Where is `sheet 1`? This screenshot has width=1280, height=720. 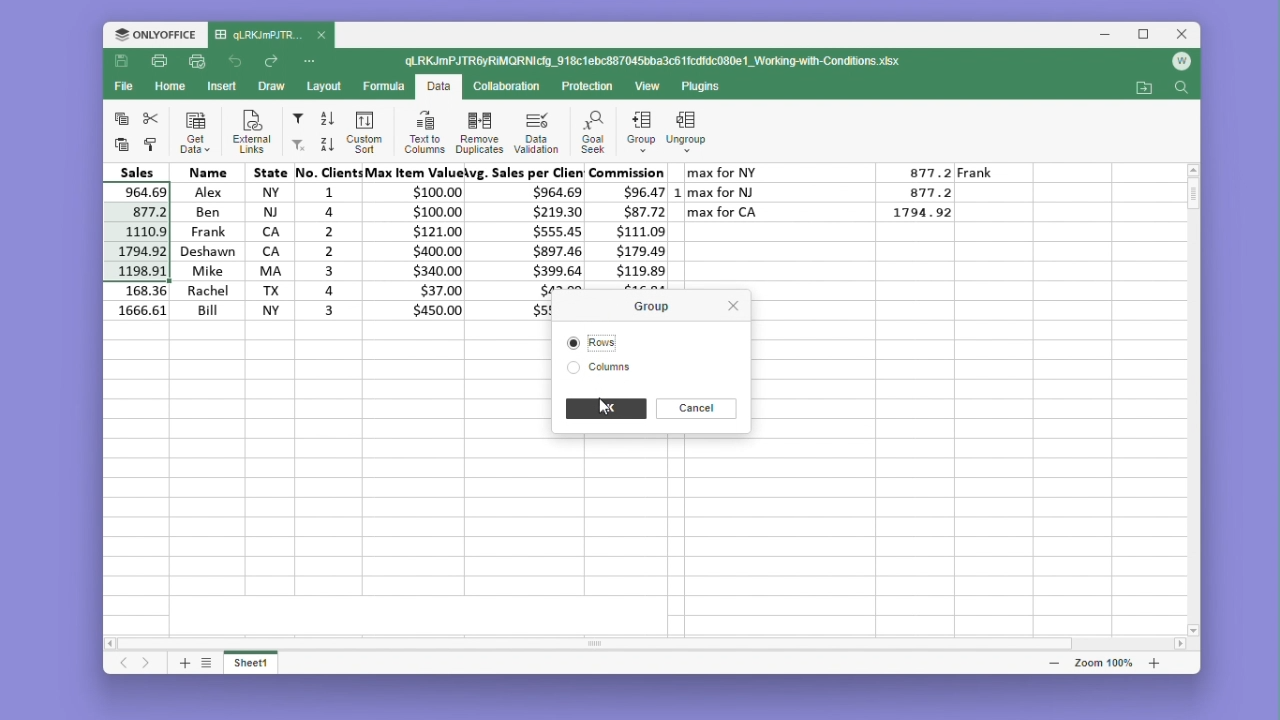
sheet 1 is located at coordinates (252, 661).